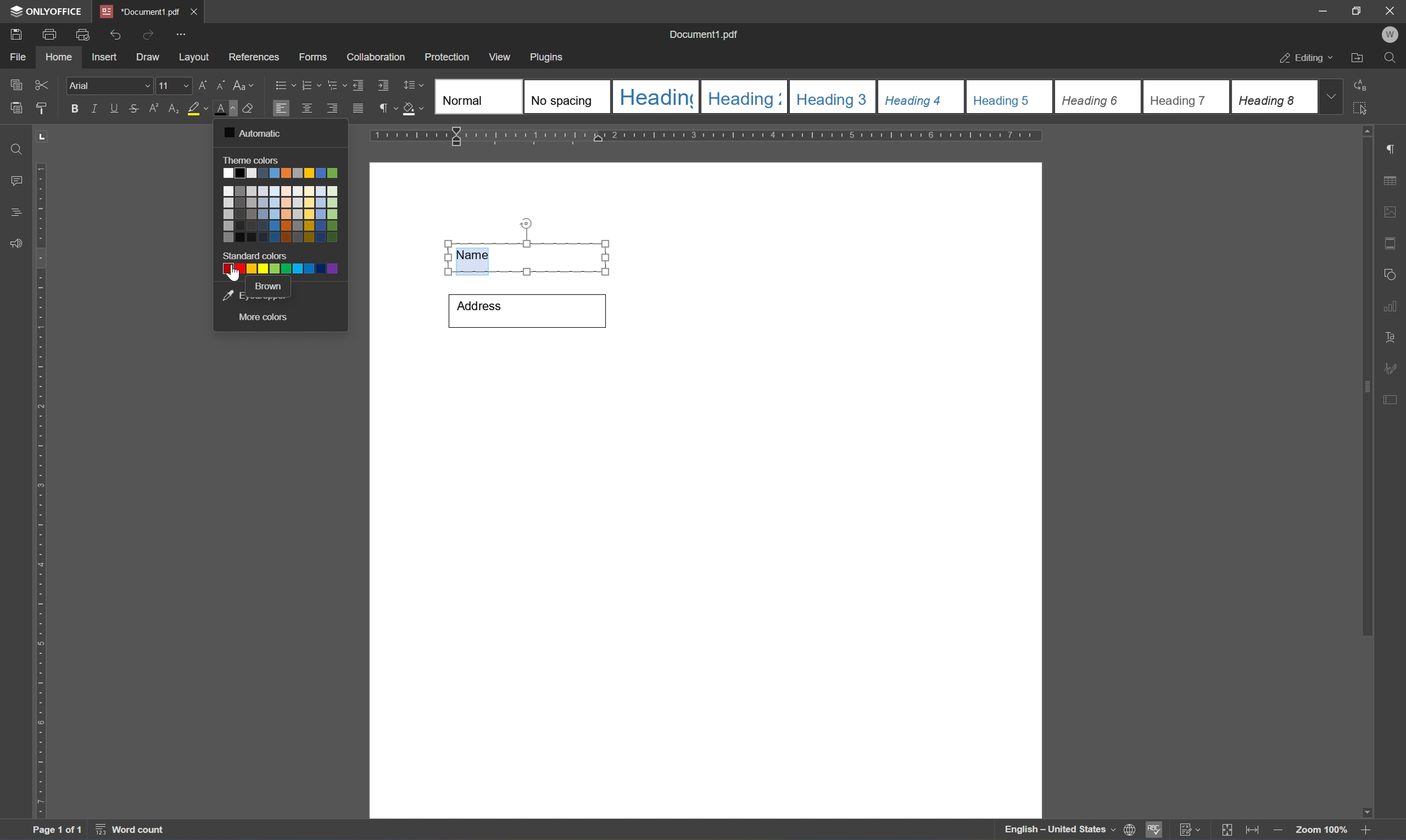 Image resolution: width=1406 pixels, height=840 pixels. I want to click on copy, so click(17, 108).